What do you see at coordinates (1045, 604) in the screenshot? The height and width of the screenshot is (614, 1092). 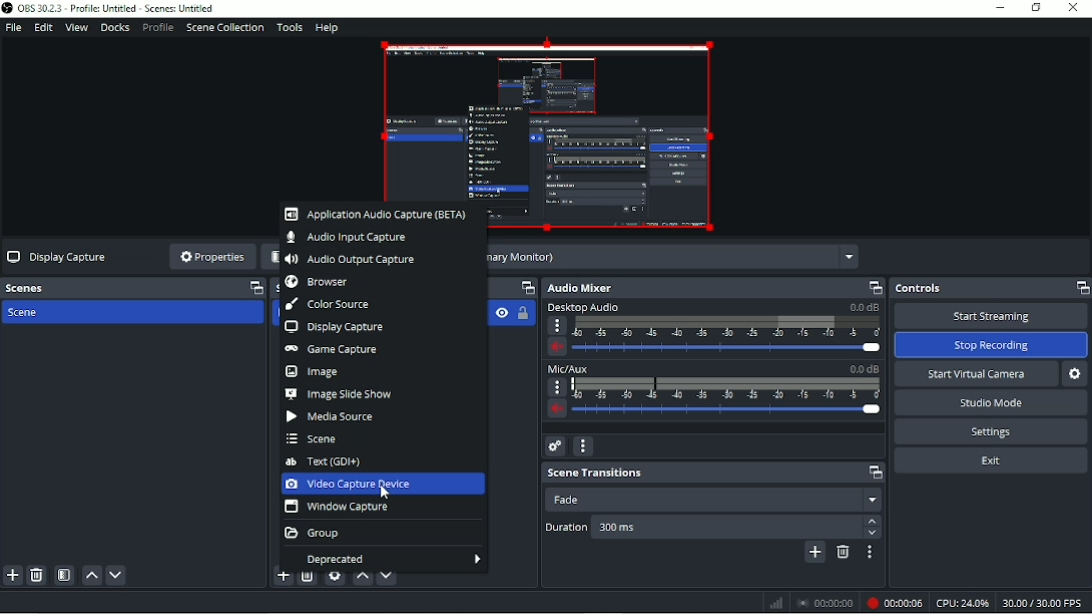 I see `30.00/30.00 FPS` at bounding box center [1045, 604].